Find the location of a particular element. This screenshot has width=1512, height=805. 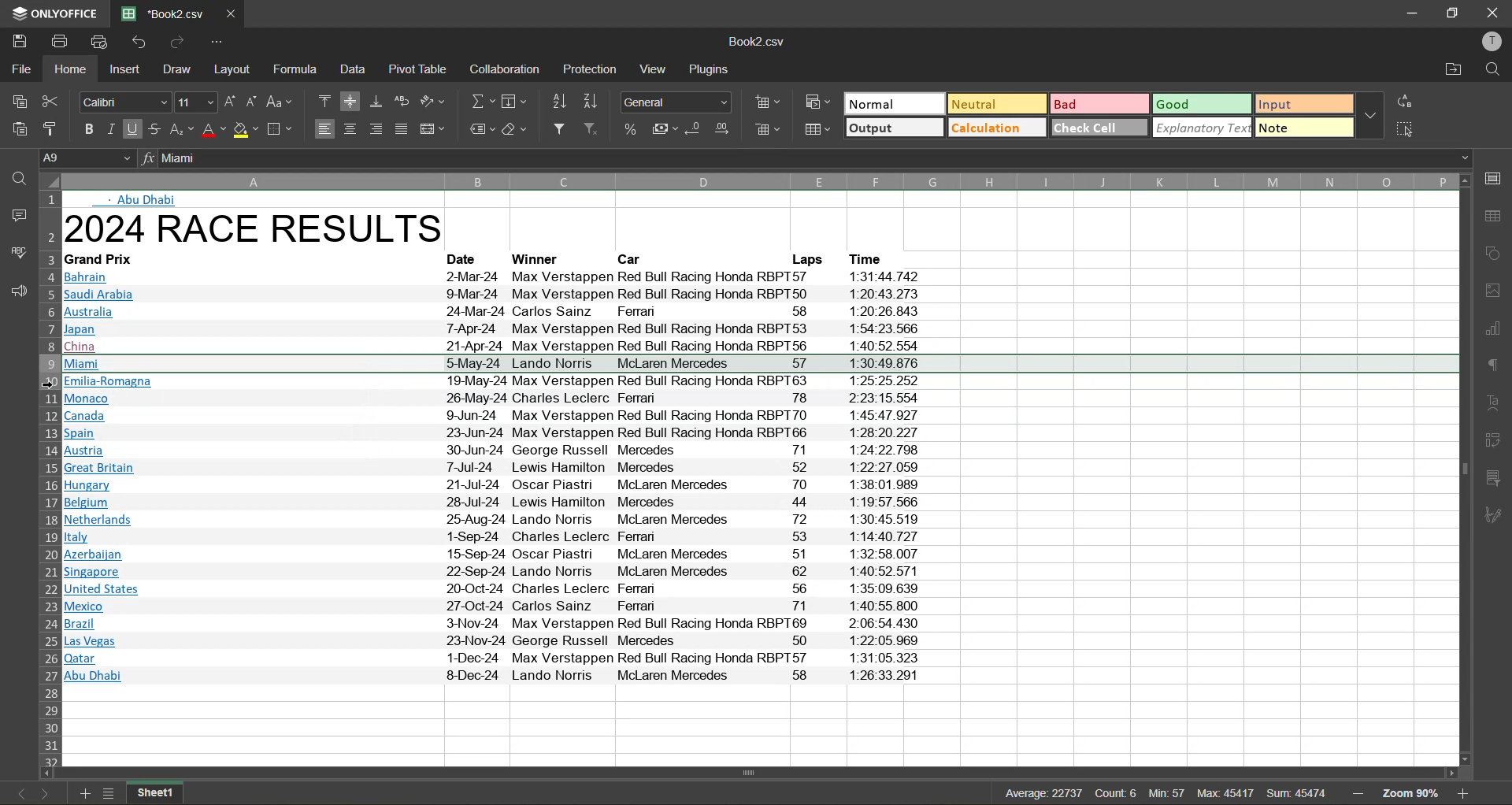

align top is located at coordinates (325, 102).